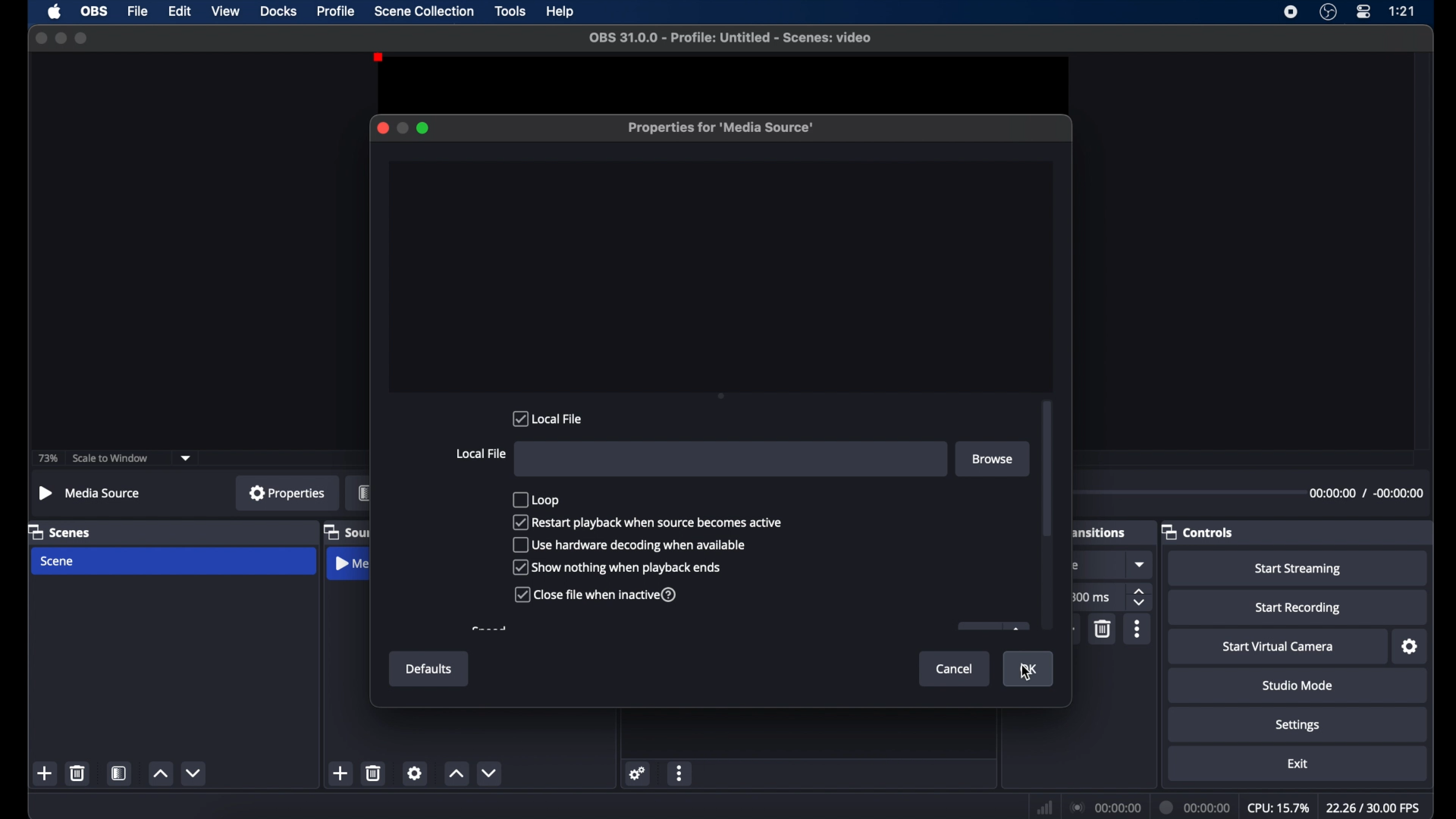  I want to click on settings, so click(1297, 724).